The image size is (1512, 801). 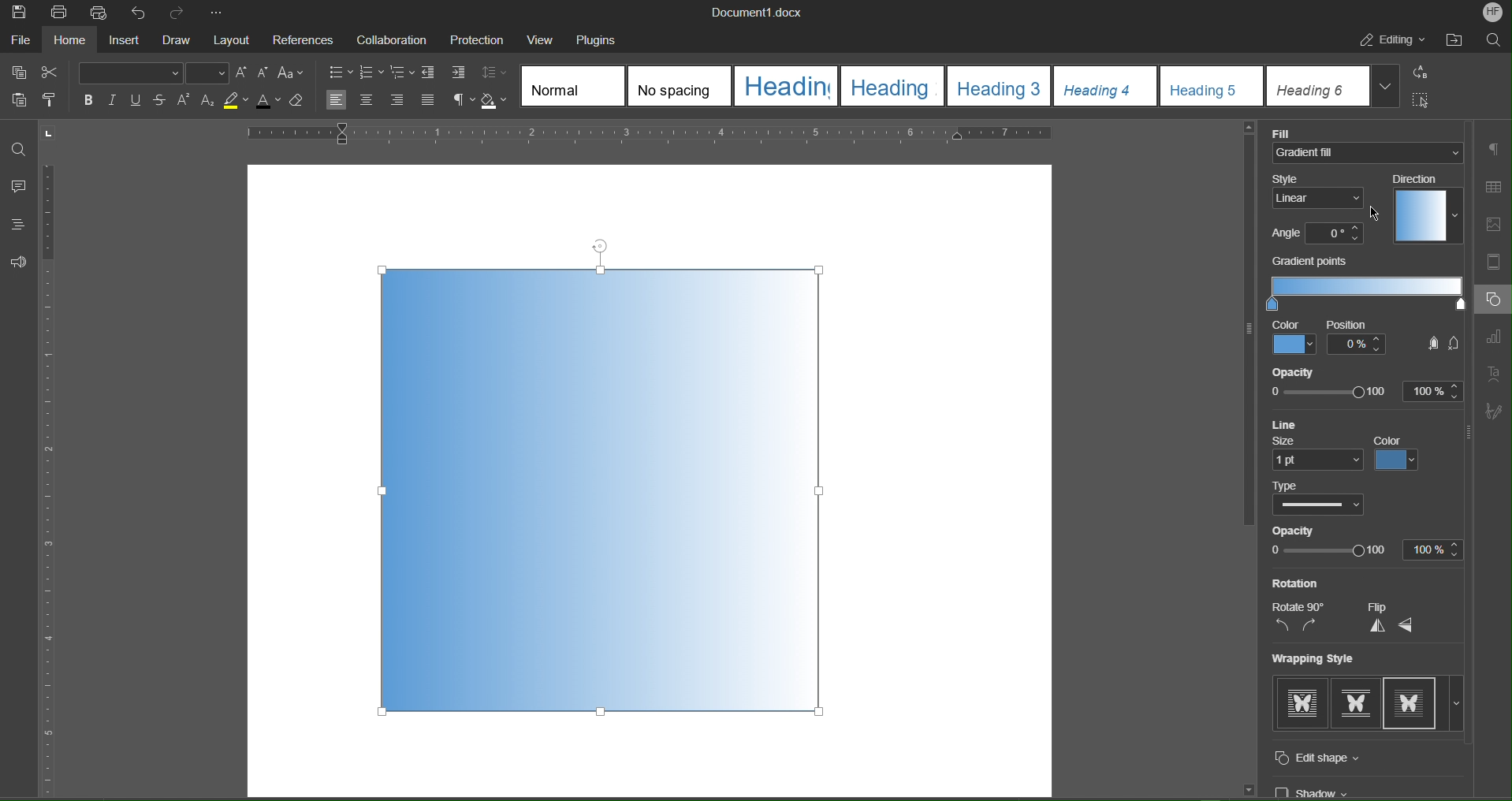 What do you see at coordinates (1494, 412) in the screenshot?
I see `Signature` at bounding box center [1494, 412].